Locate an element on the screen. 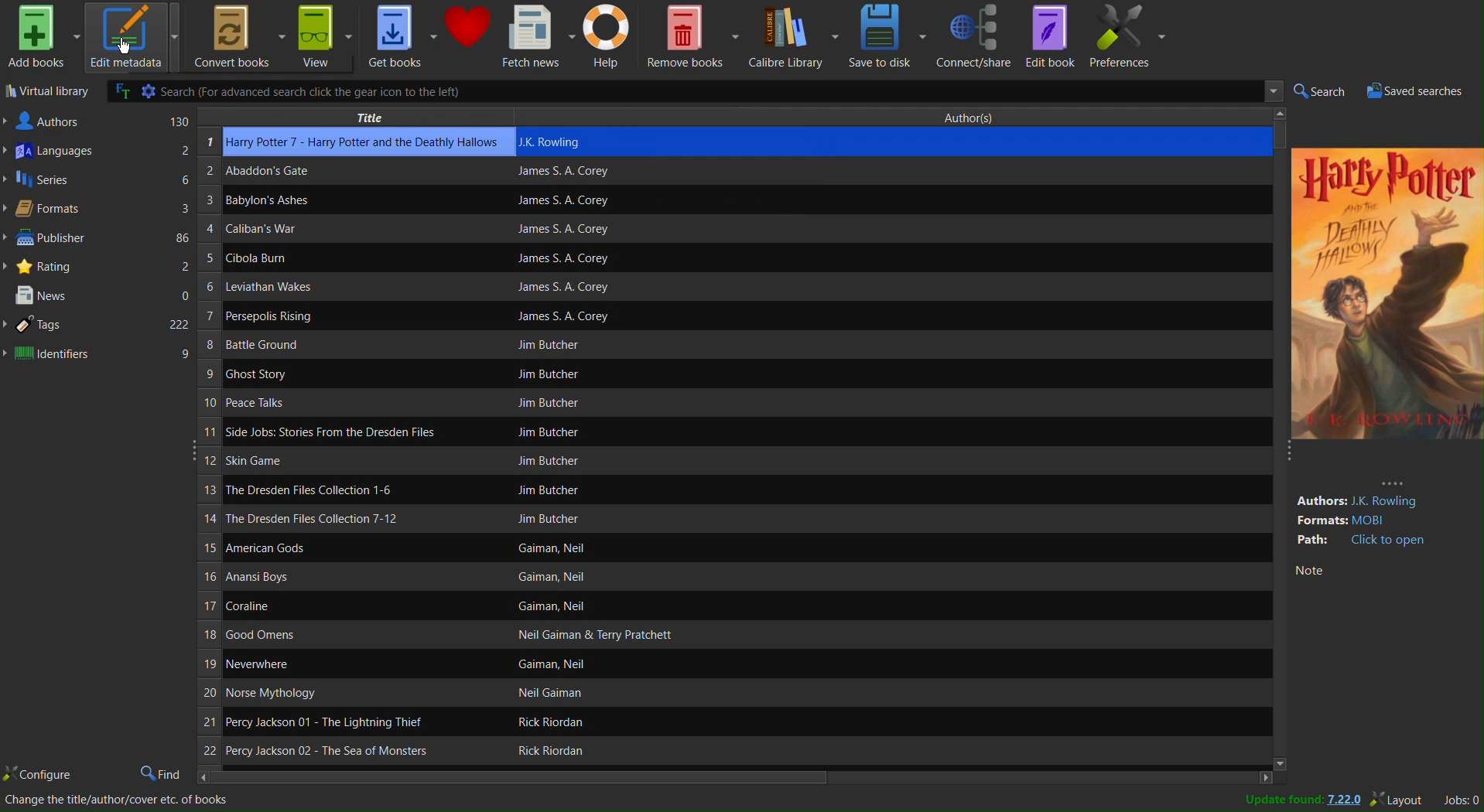 The width and height of the screenshot is (1484, 812). Edit metadata is located at coordinates (133, 36).